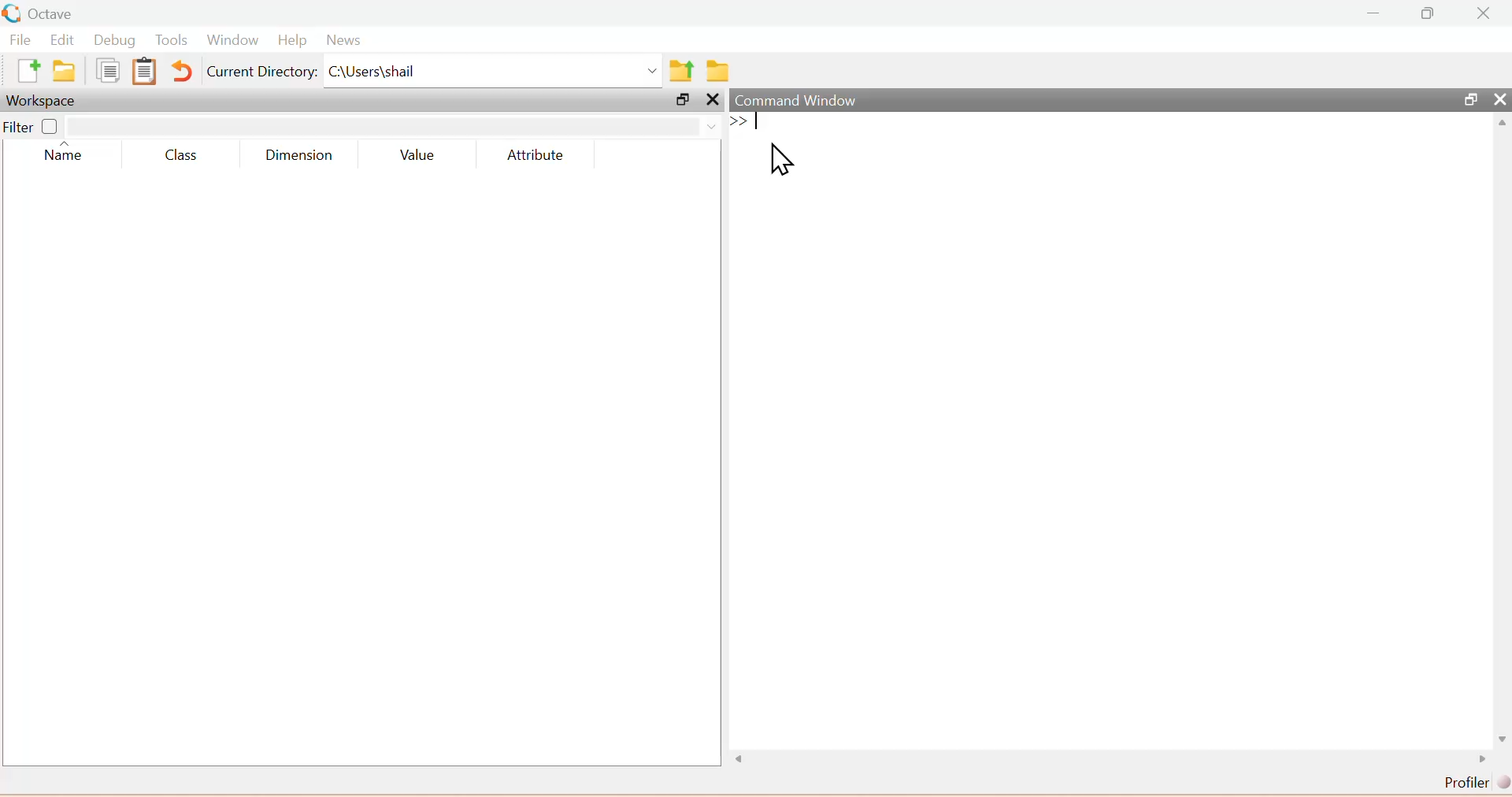 This screenshot has height=797, width=1512. I want to click on Close, so click(1496, 100).